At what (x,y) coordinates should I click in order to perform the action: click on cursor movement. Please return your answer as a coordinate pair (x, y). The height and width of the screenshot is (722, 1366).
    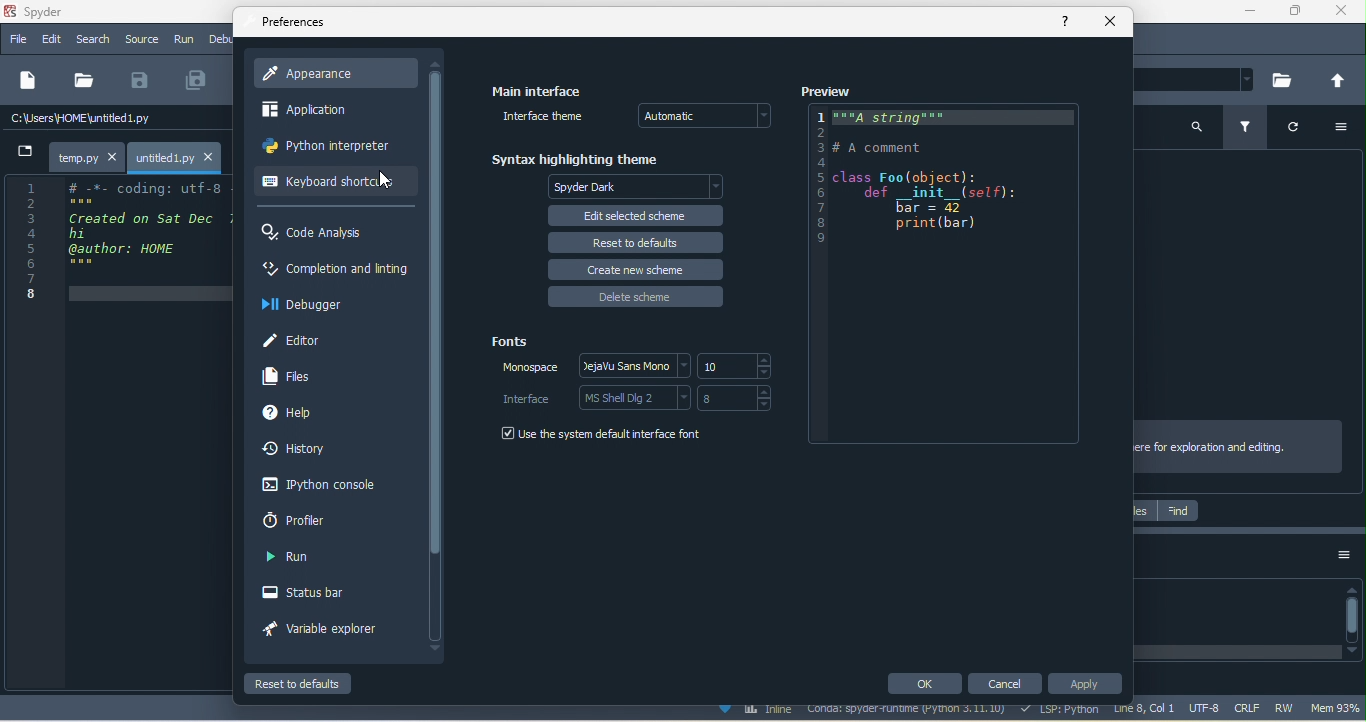
    Looking at the image, I should click on (386, 180).